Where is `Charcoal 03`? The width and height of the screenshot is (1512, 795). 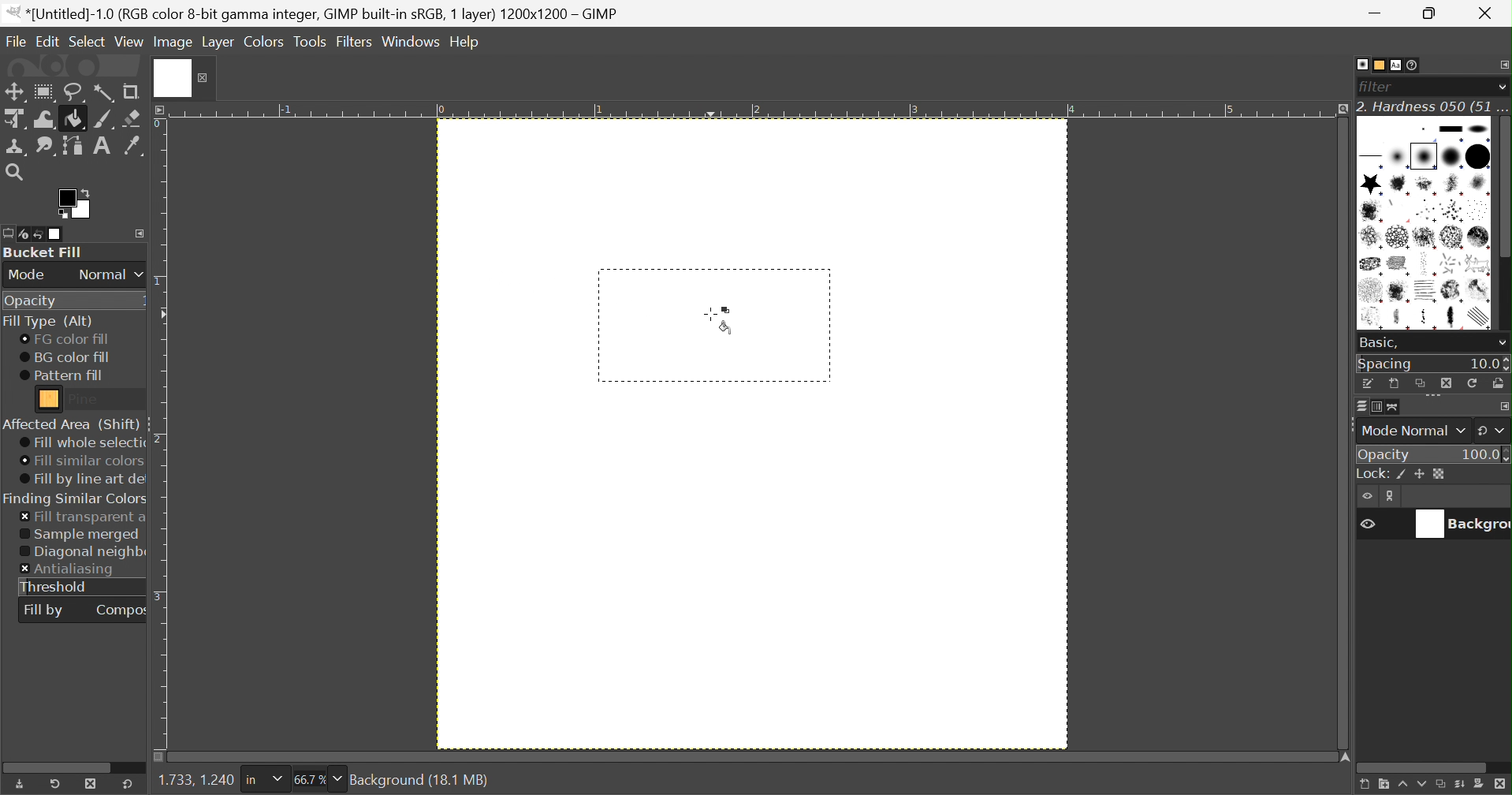
Charcoal 03 is located at coordinates (1427, 263).